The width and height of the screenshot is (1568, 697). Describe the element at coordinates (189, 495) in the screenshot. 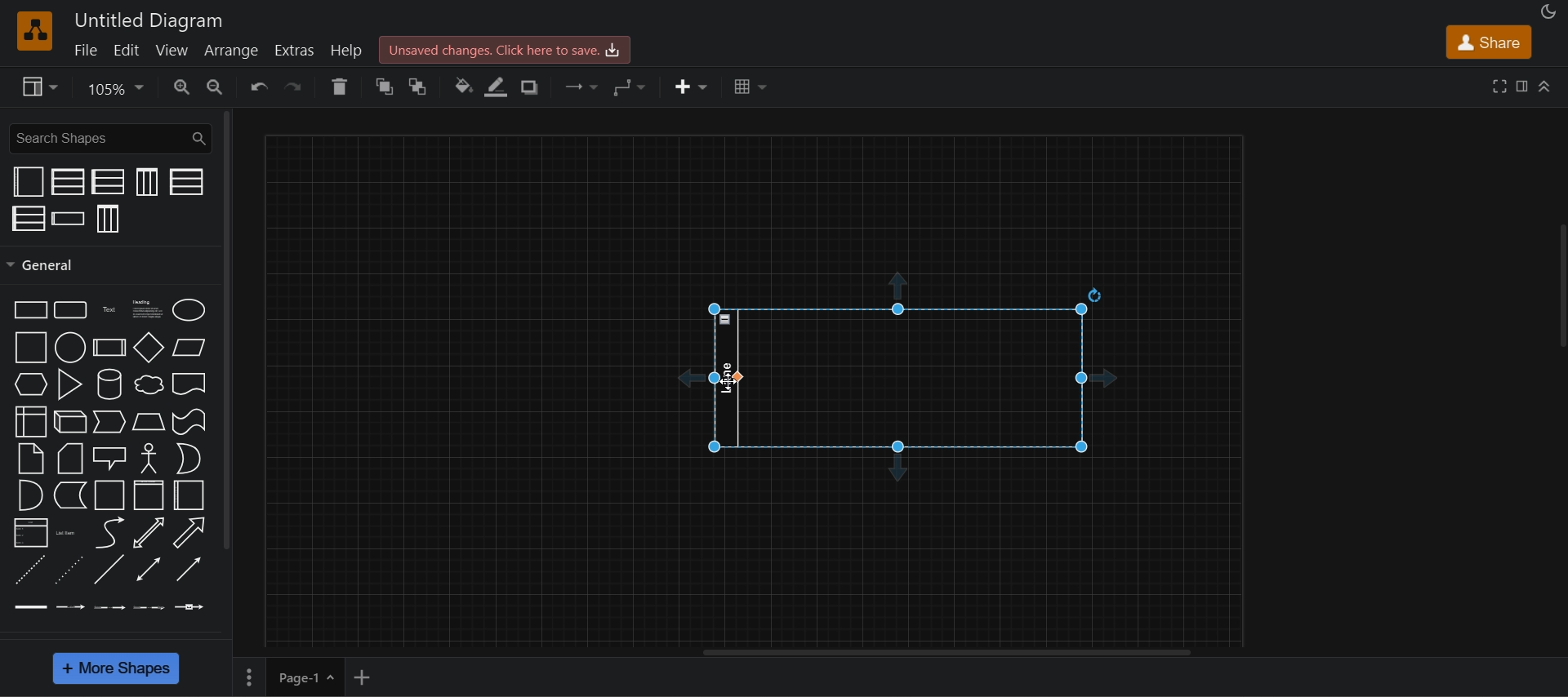

I see `horizontal container` at that location.